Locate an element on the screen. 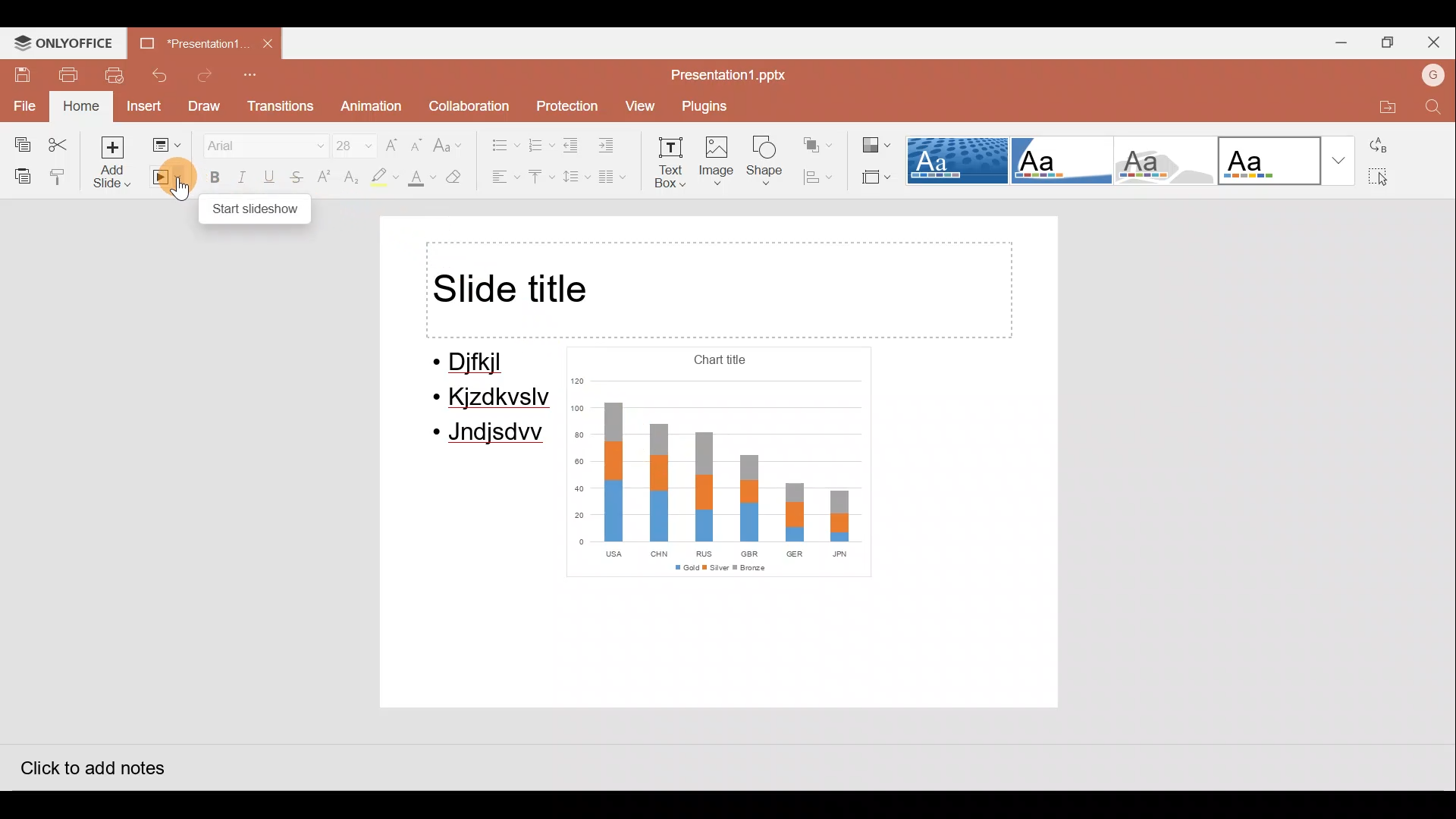  Cut is located at coordinates (65, 143).